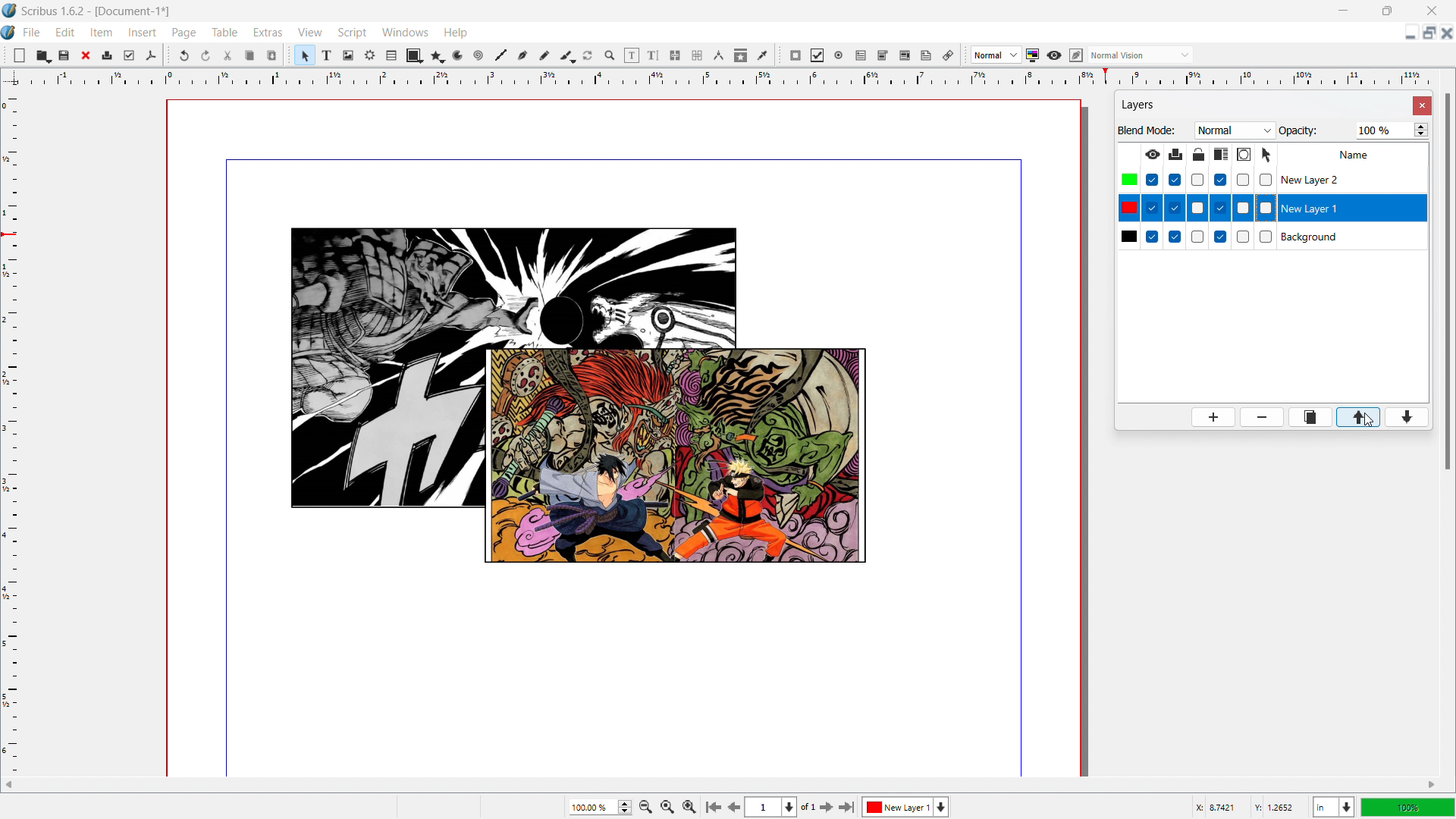 The width and height of the screenshot is (1456, 819). Describe the element at coordinates (734, 805) in the screenshot. I see `go to previous page` at that location.